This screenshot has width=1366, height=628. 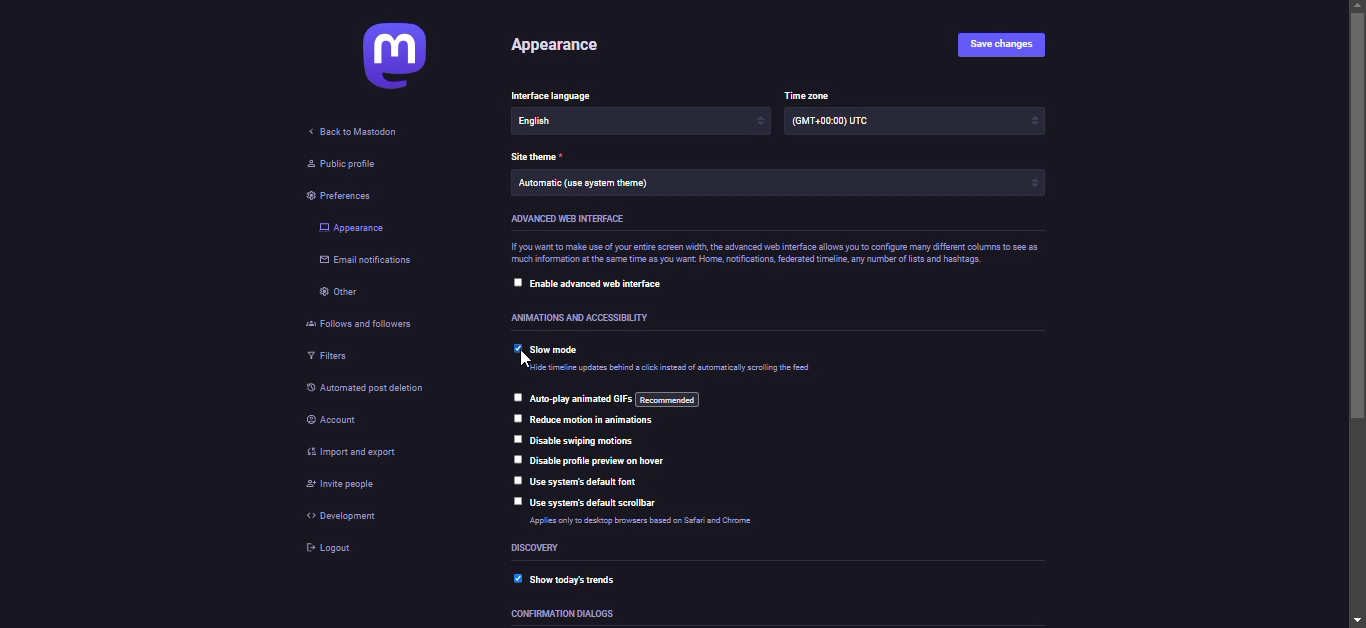 What do you see at coordinates (325, 358) in the screenshot?
I see `filters` at bounding box center [325, 358].